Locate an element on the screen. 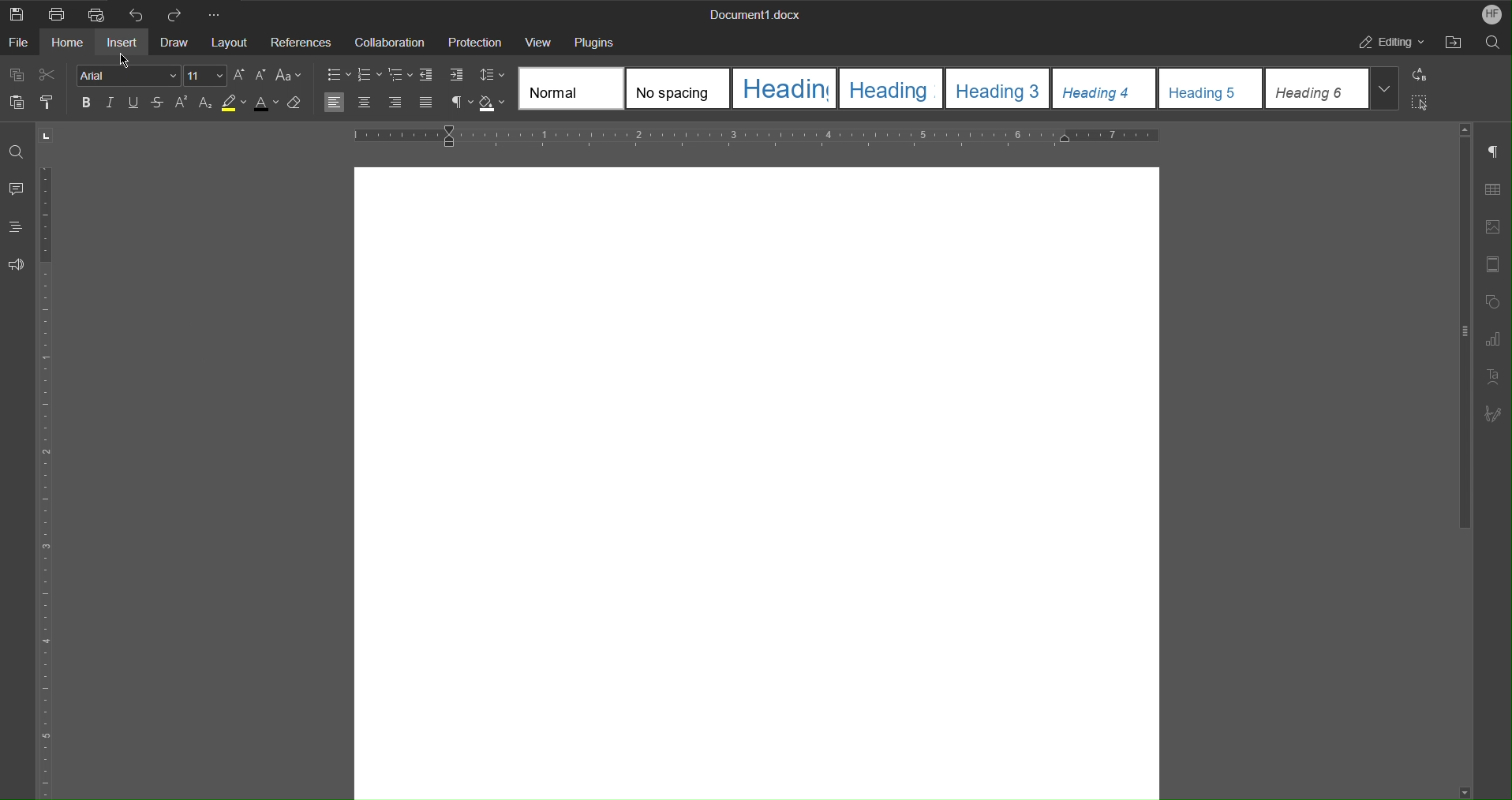 The width and height of the screenshot is (1512, 800). Heading 6 is located at coordinates (1331, 88).